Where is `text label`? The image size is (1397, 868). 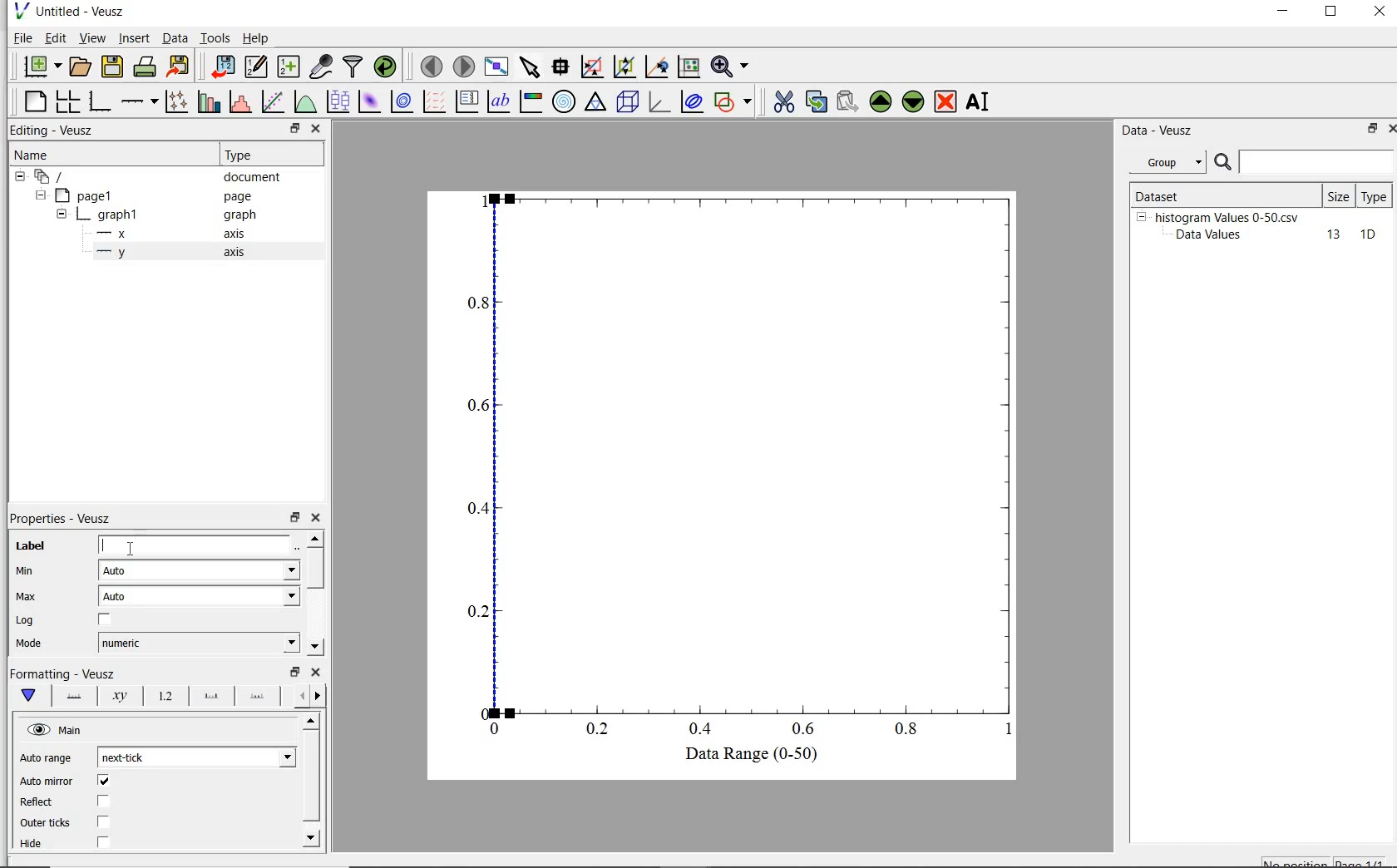
text label is located at coordinates (501, 100).